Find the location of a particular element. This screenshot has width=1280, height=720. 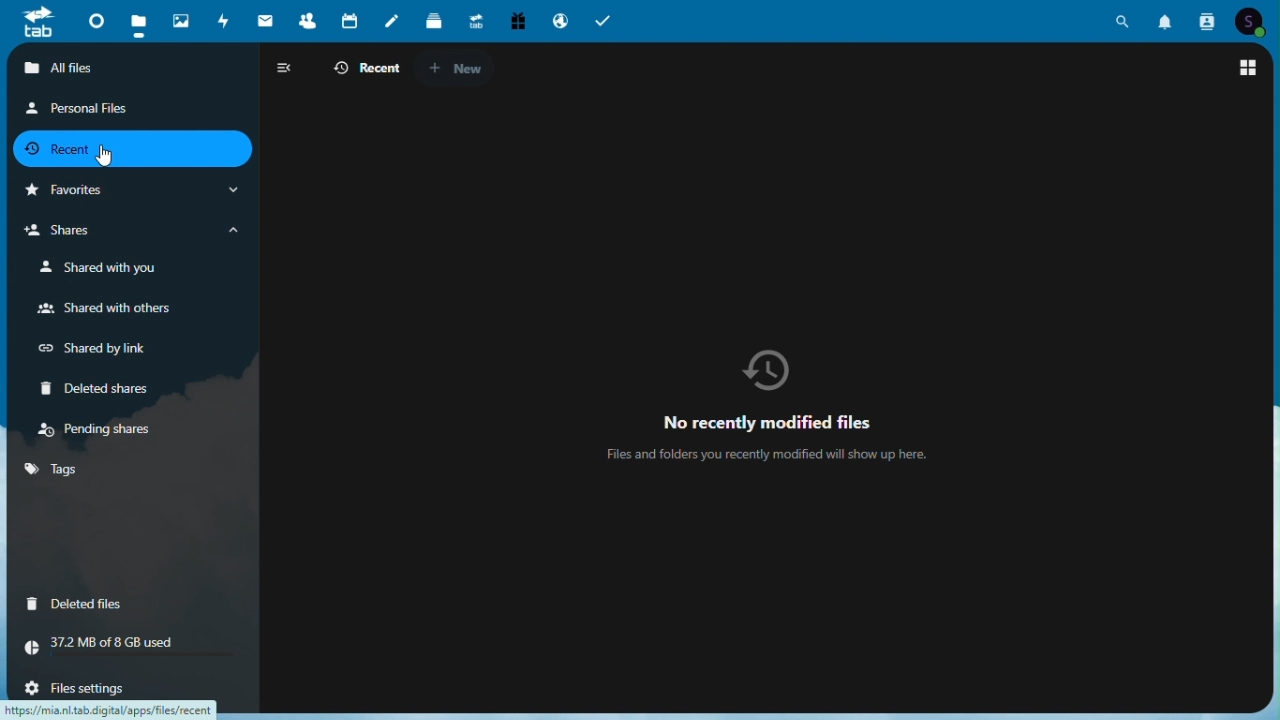

Upgrade is located at coordinates (475, 22).